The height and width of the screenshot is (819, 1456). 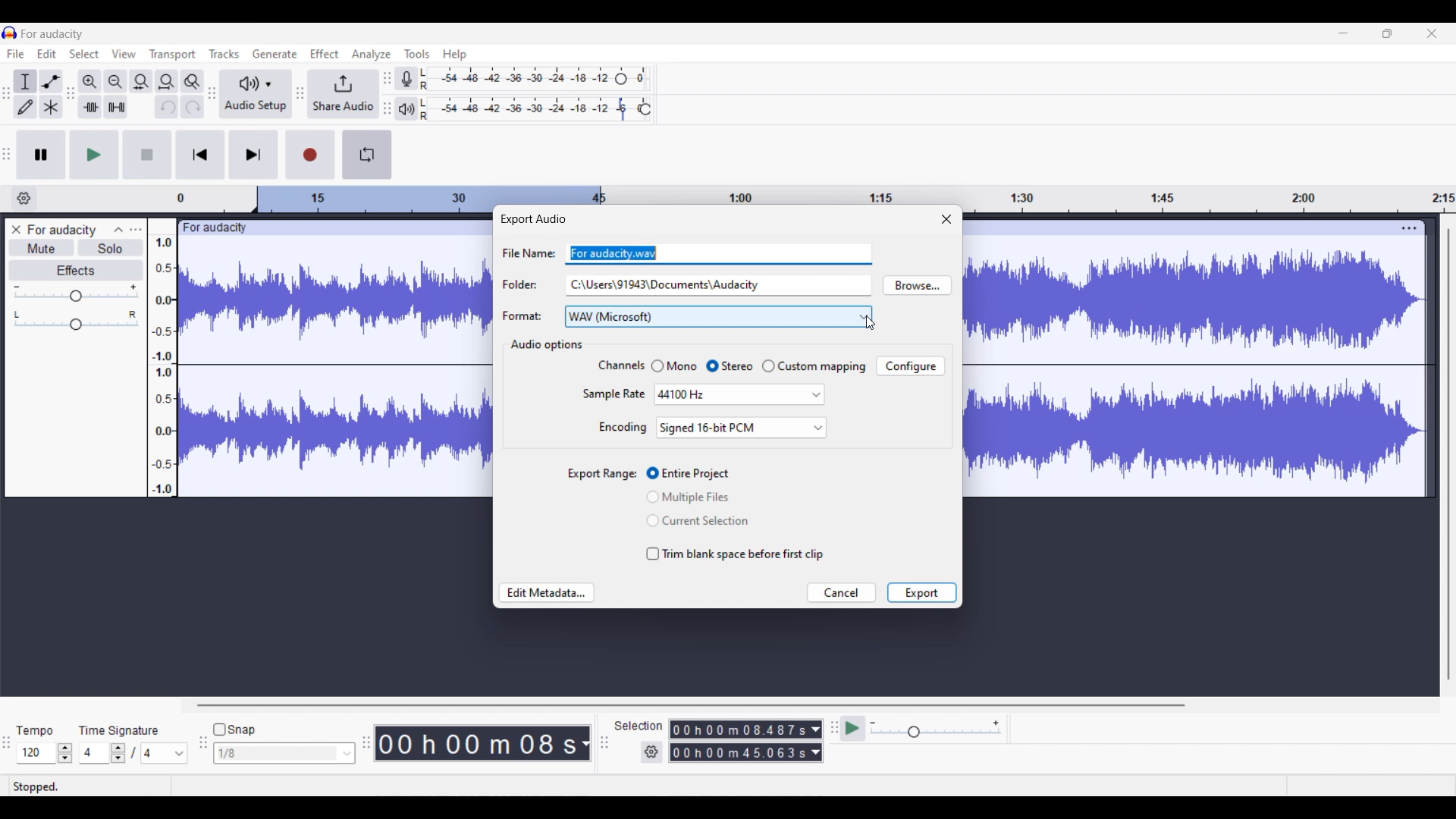 What do you see at coordinates (699, 474) in the screenshot?
I see `Toggle for 'Entire Project'` at bounding box center [699, 474].